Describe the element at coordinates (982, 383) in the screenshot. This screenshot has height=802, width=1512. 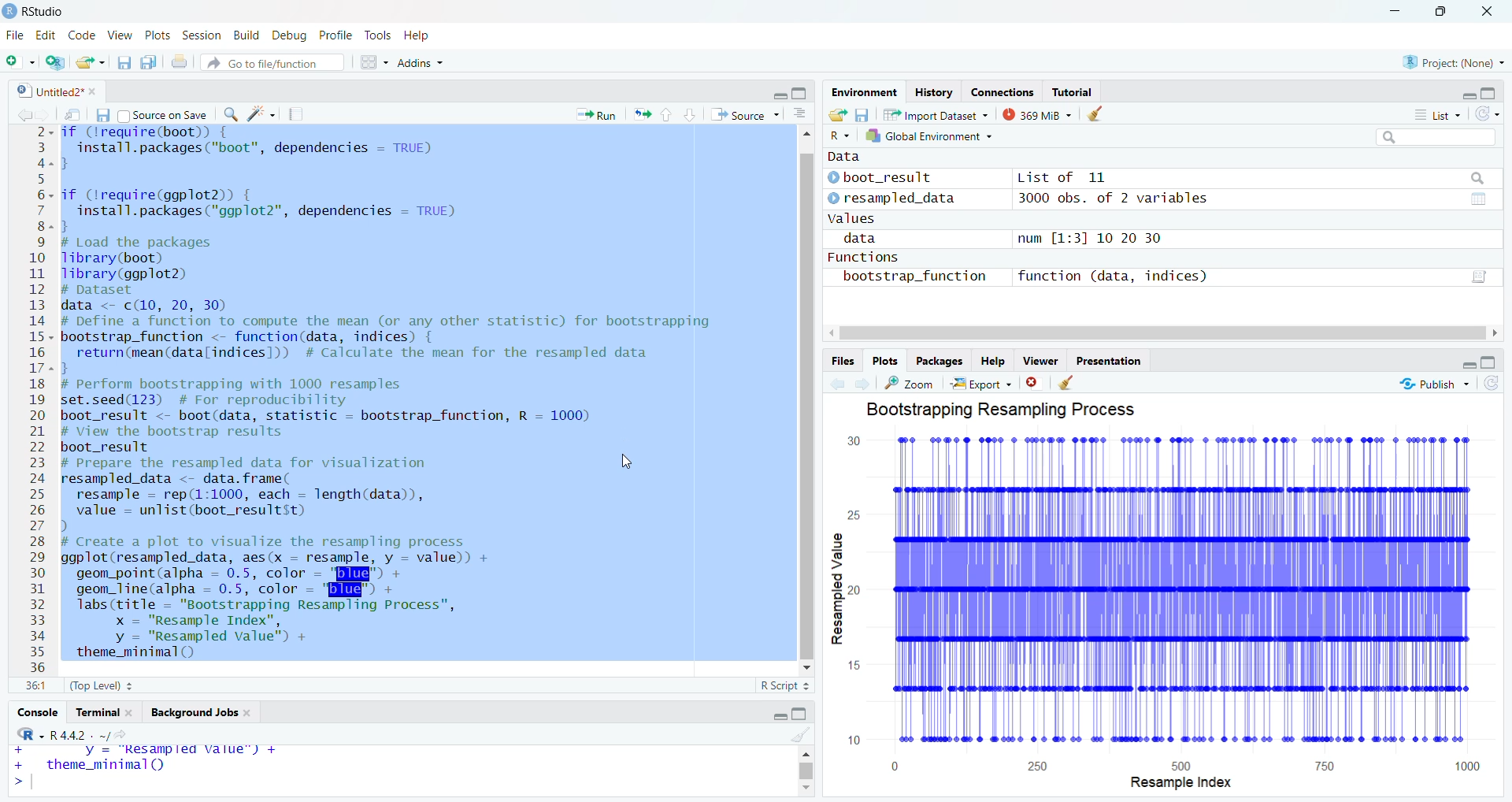
I see ` Export ~` at that location.